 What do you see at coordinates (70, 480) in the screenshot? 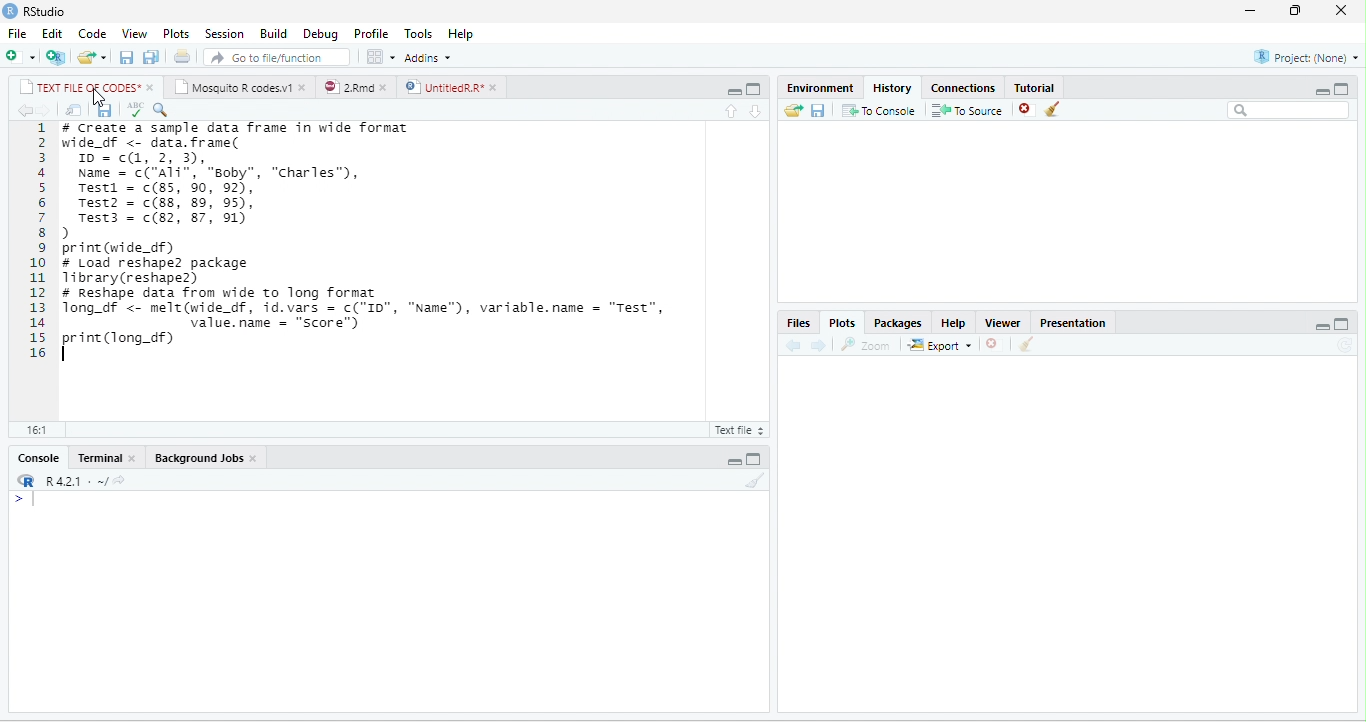
I see `R 4.2.1.~/` at bounding box center [70, 480].